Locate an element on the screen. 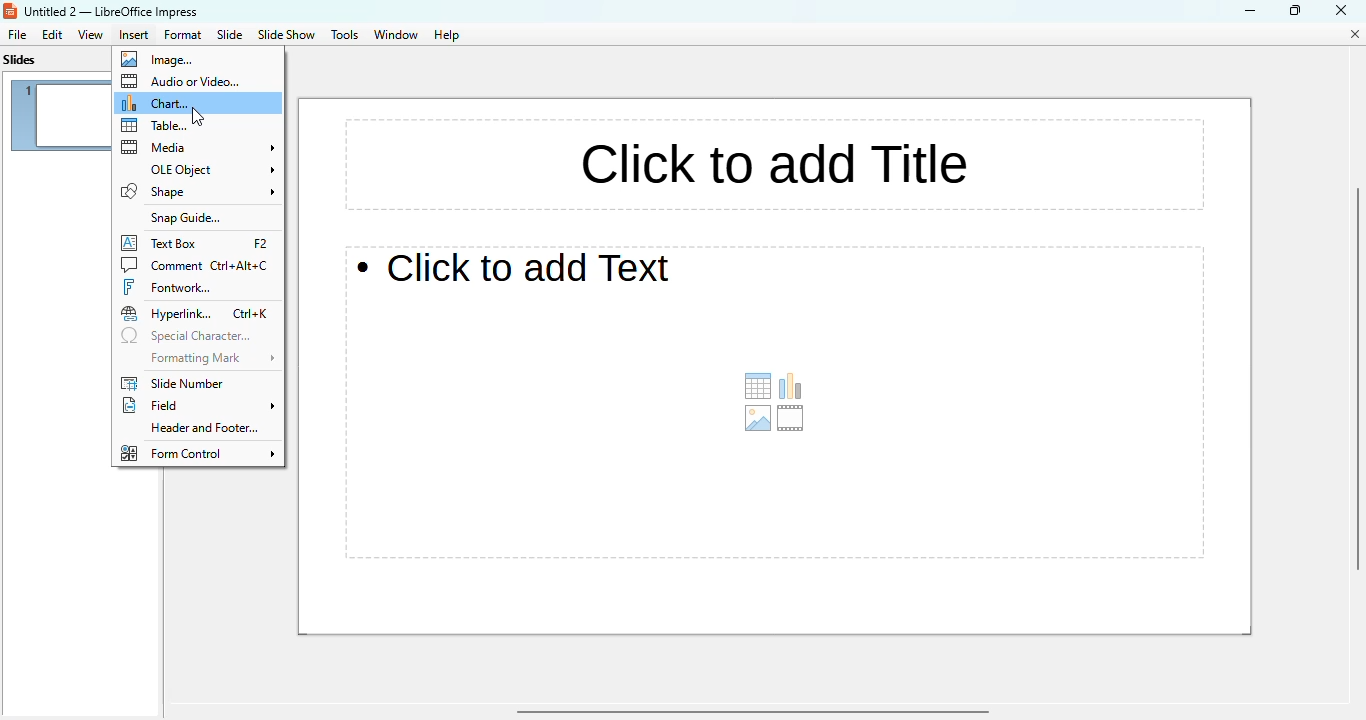 The image size is (1366, 720). field is located at coordinates (201, 406).